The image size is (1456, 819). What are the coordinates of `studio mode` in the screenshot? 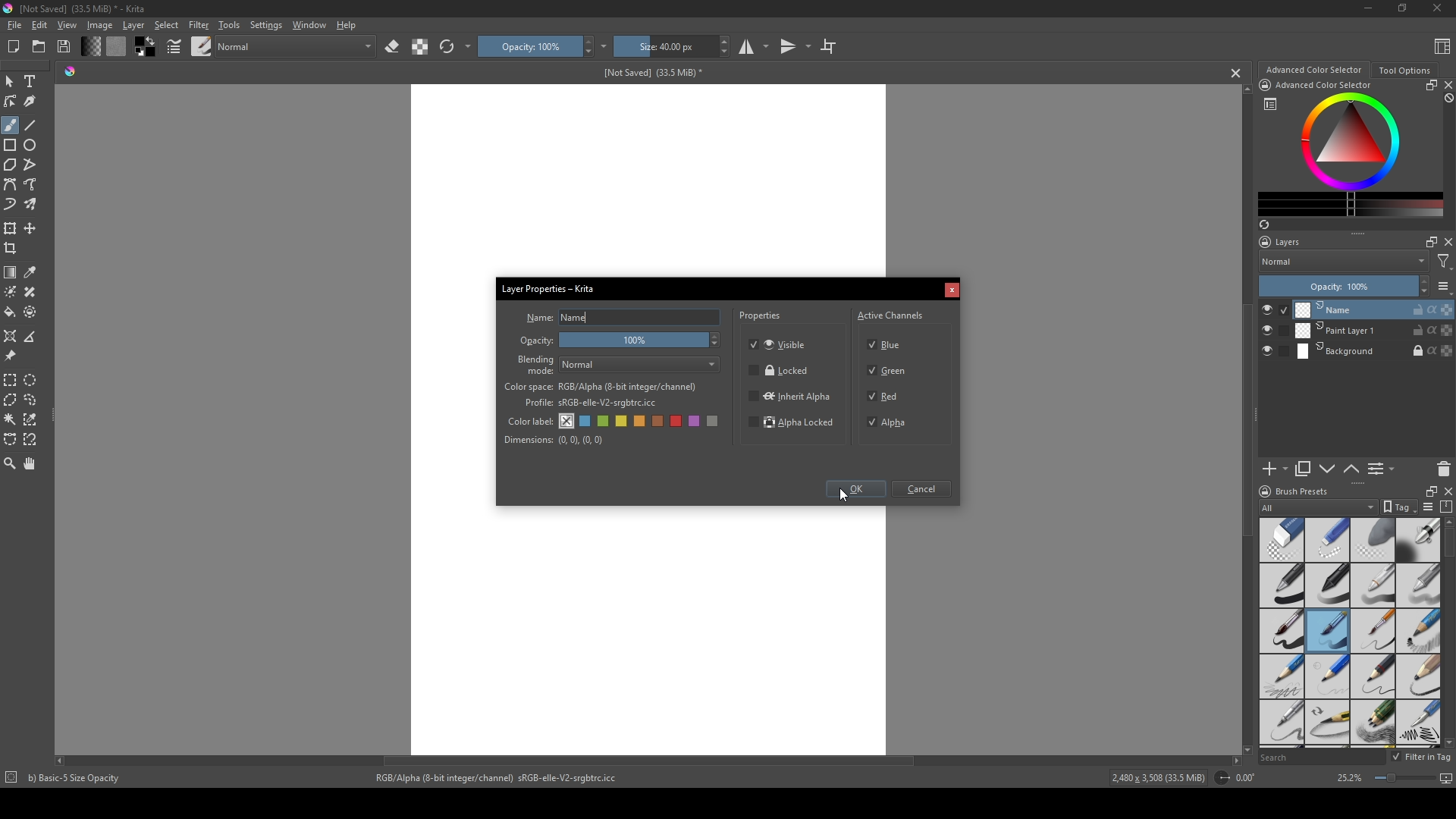 It's located at (754, 46).